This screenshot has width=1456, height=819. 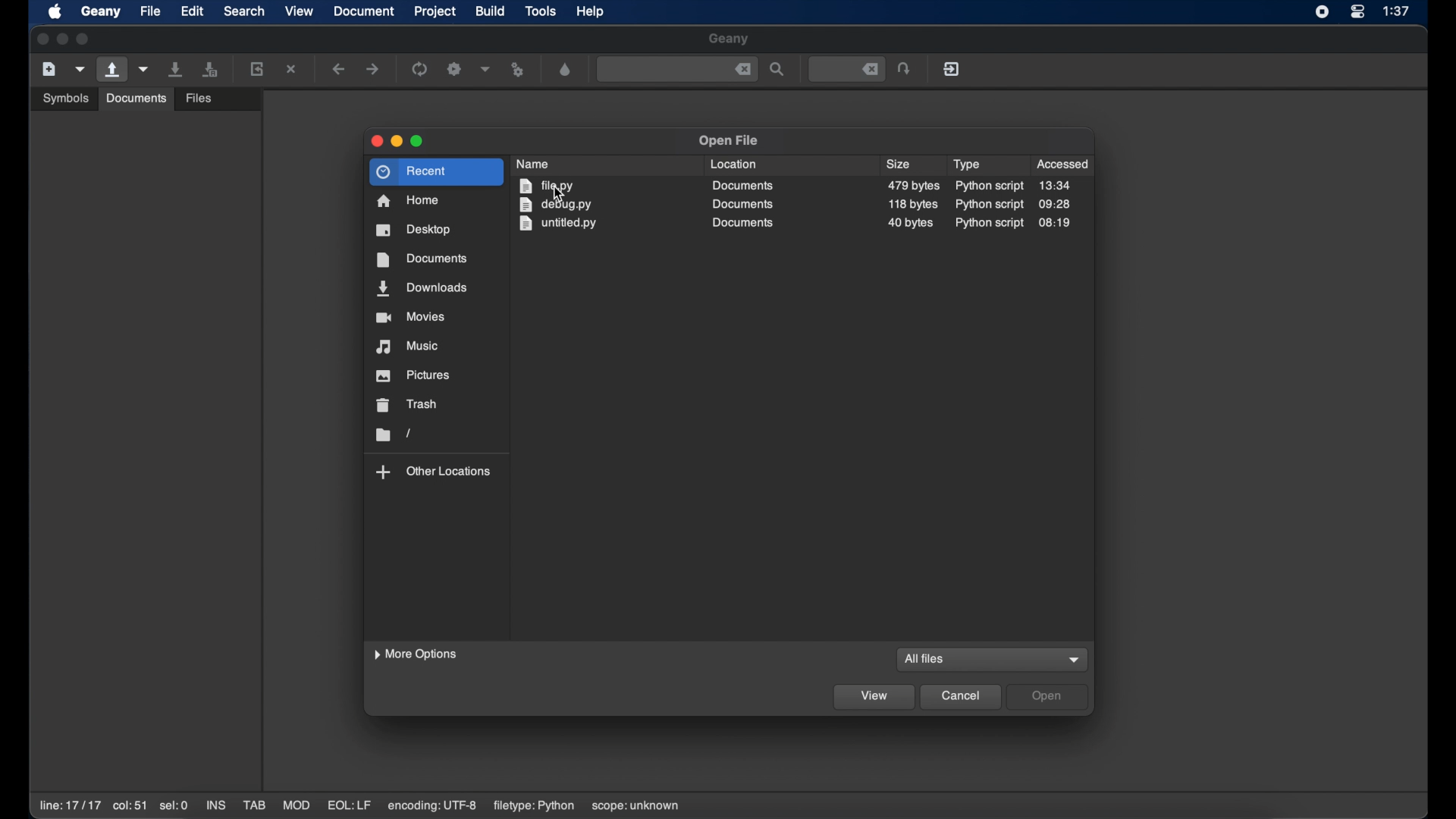 What do you see at coordinates (176, 69) in the screenshot?
I see `save current file` at bounding box center [176, 69].